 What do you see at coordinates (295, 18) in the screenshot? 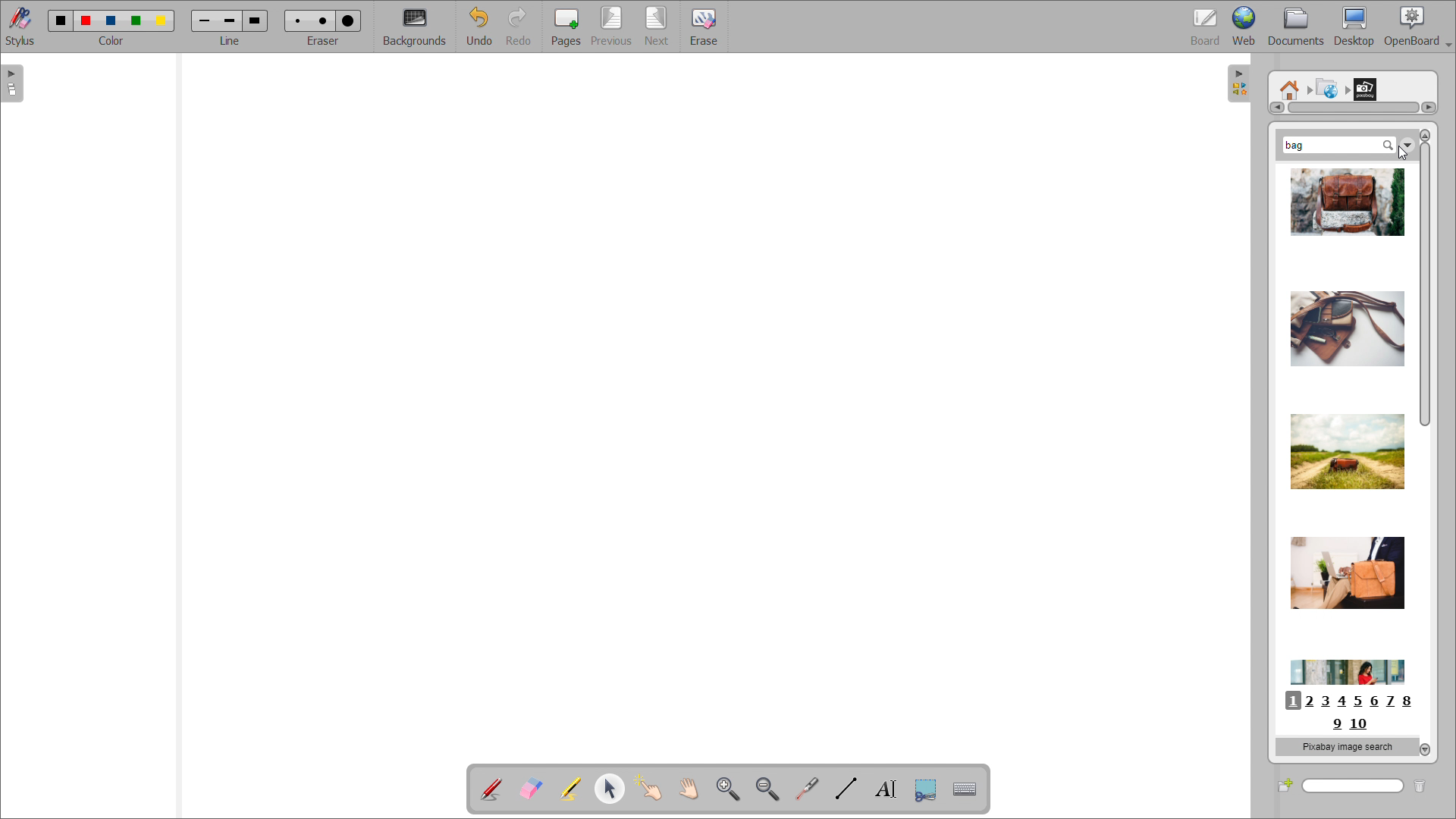
I see `Small erase` at bounding box center [295, 18].